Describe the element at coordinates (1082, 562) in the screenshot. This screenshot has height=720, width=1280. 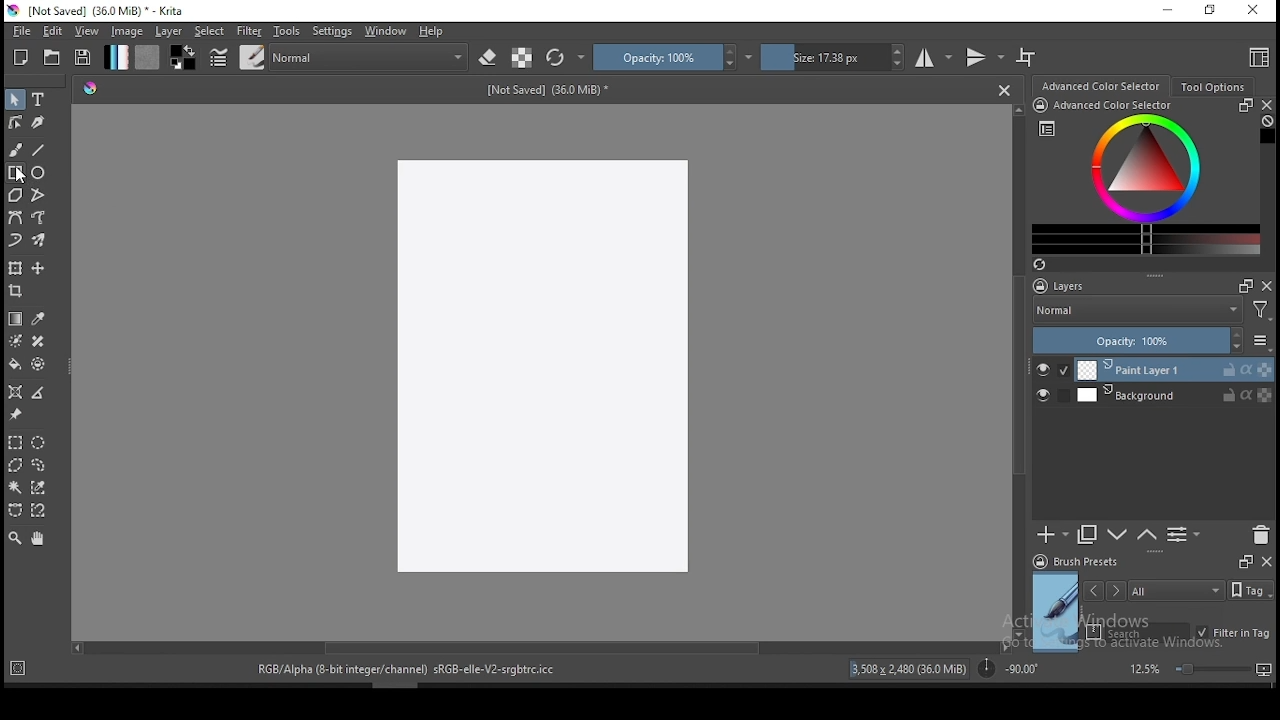
I see `brush presets` at that location.